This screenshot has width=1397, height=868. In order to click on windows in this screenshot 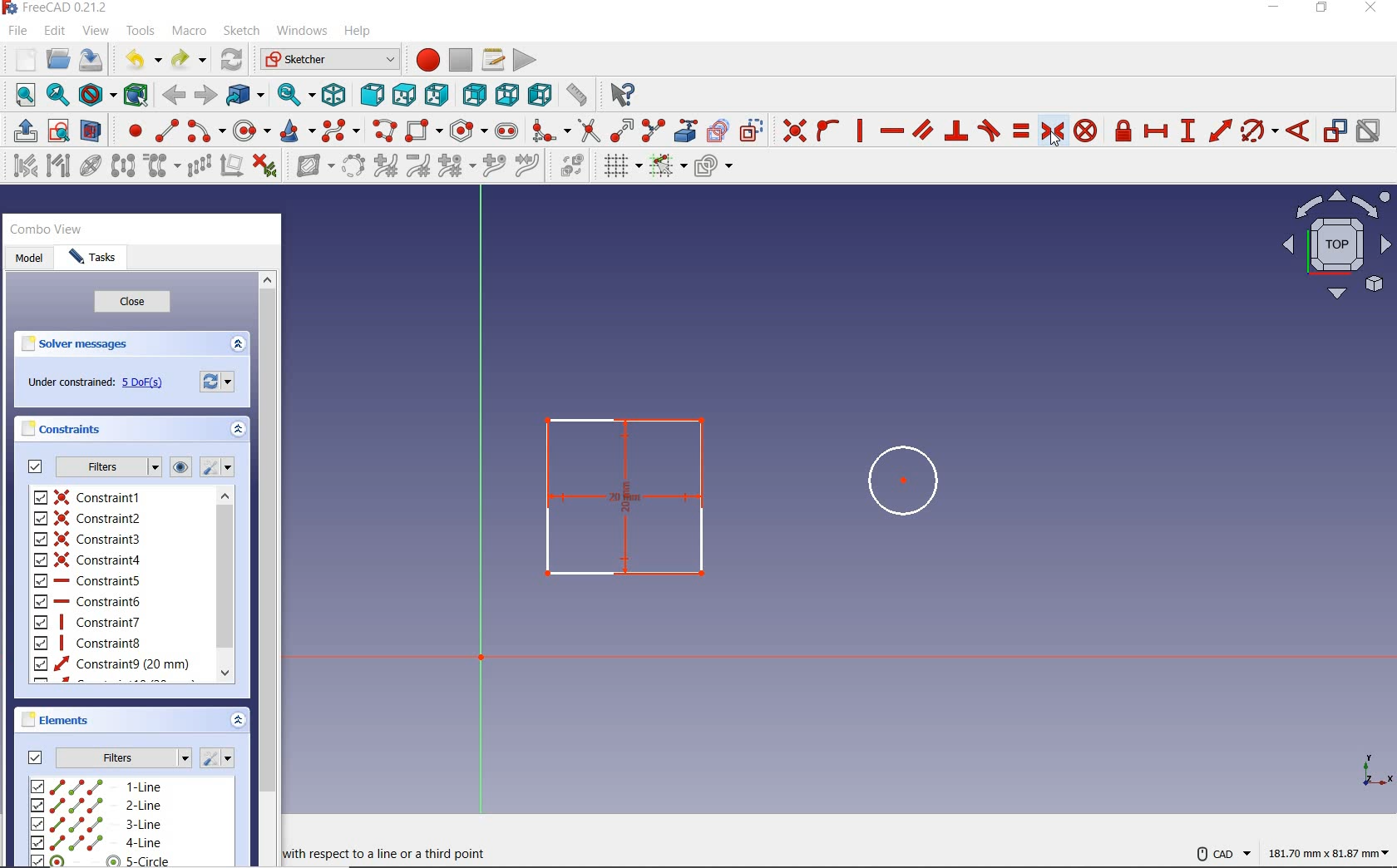, I will do `click(304, 31)`.